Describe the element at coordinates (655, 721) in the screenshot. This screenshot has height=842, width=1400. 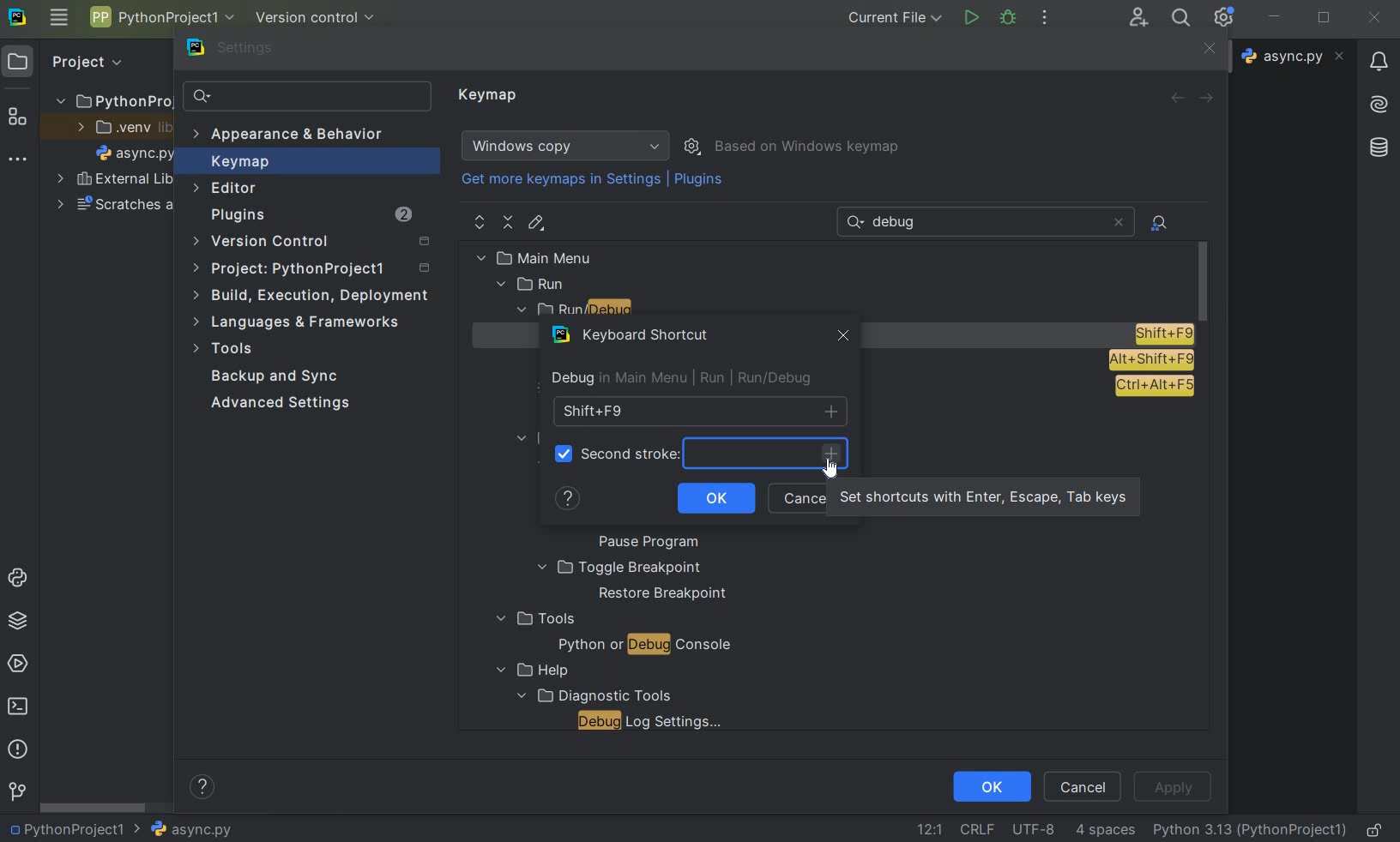
I see `debug log settings` at that location.